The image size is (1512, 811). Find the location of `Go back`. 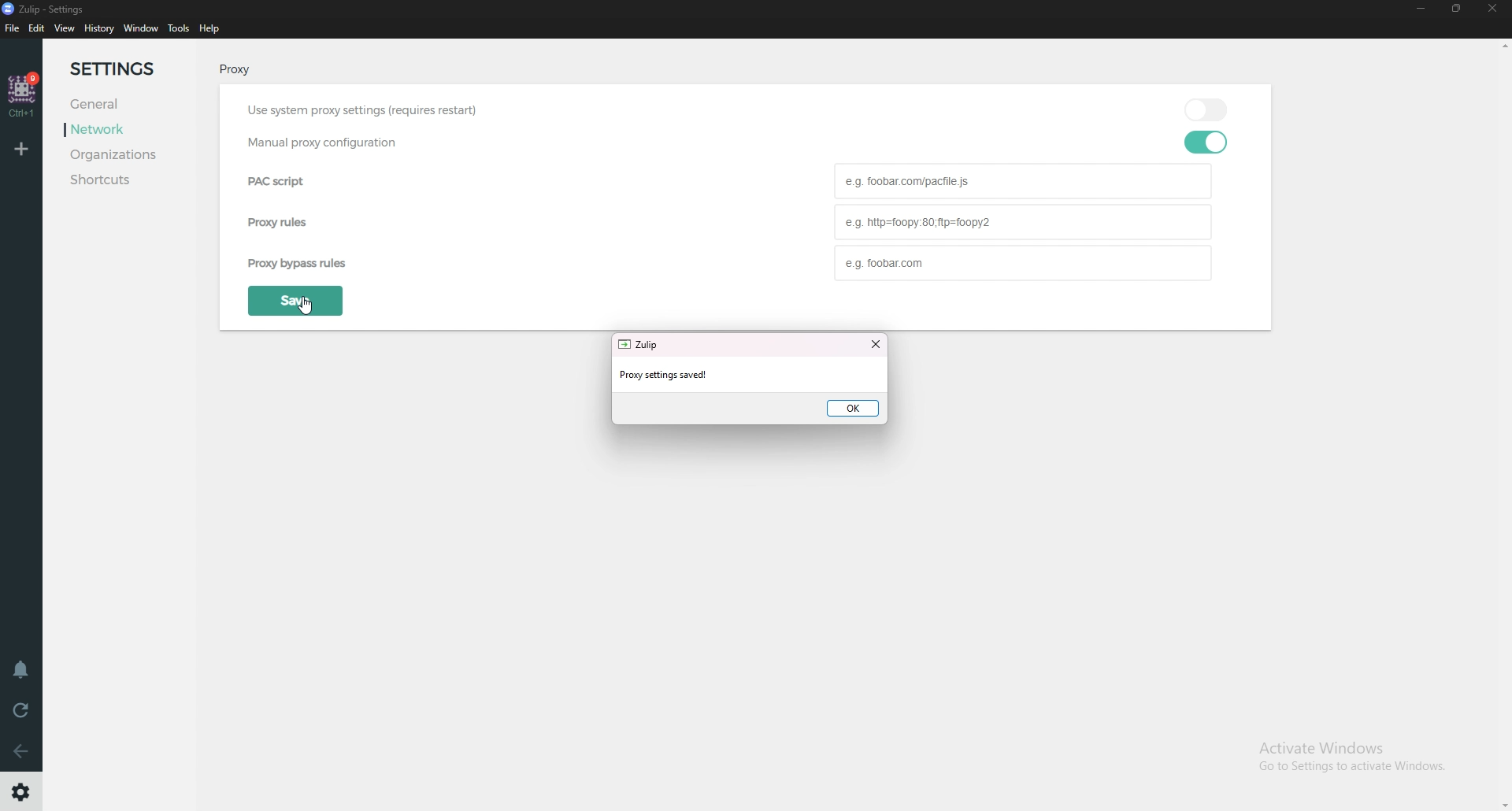

Go back is located at coordinates (22, 750).